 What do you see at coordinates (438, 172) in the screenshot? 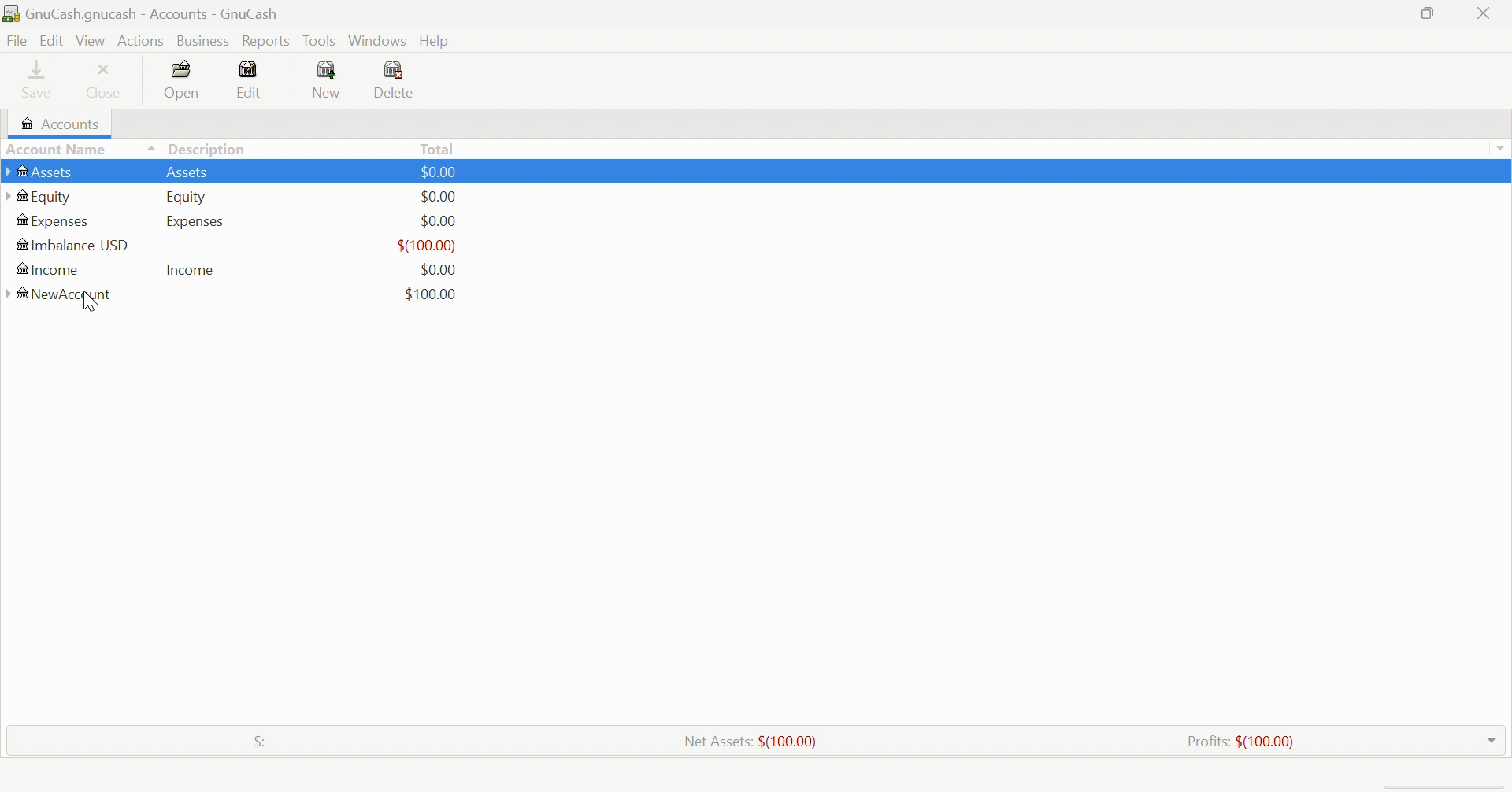
I see `$0.00` at bounding box center [438, 172].